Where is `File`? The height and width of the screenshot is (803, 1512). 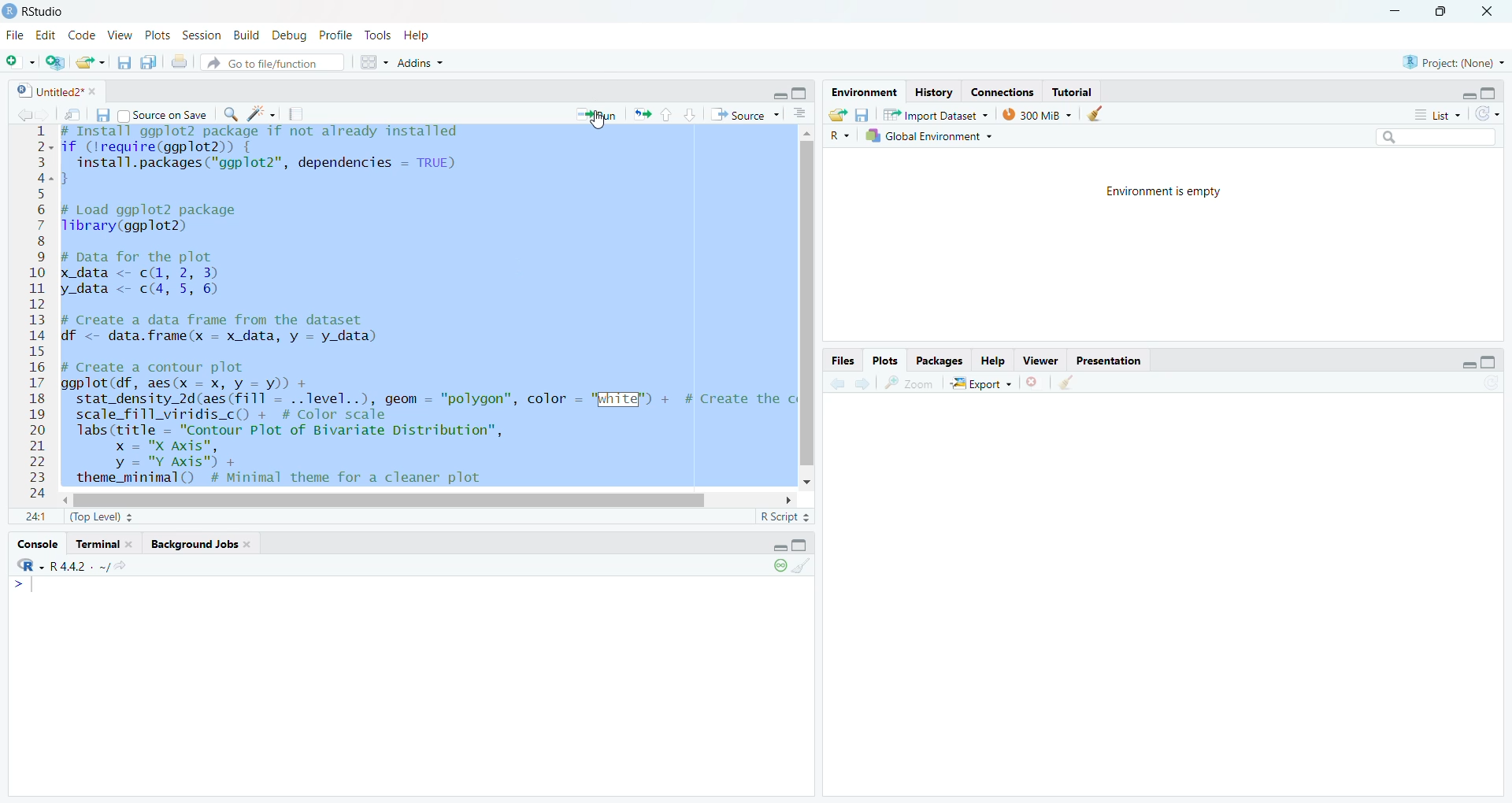 File is located at coordinates (15, 37).